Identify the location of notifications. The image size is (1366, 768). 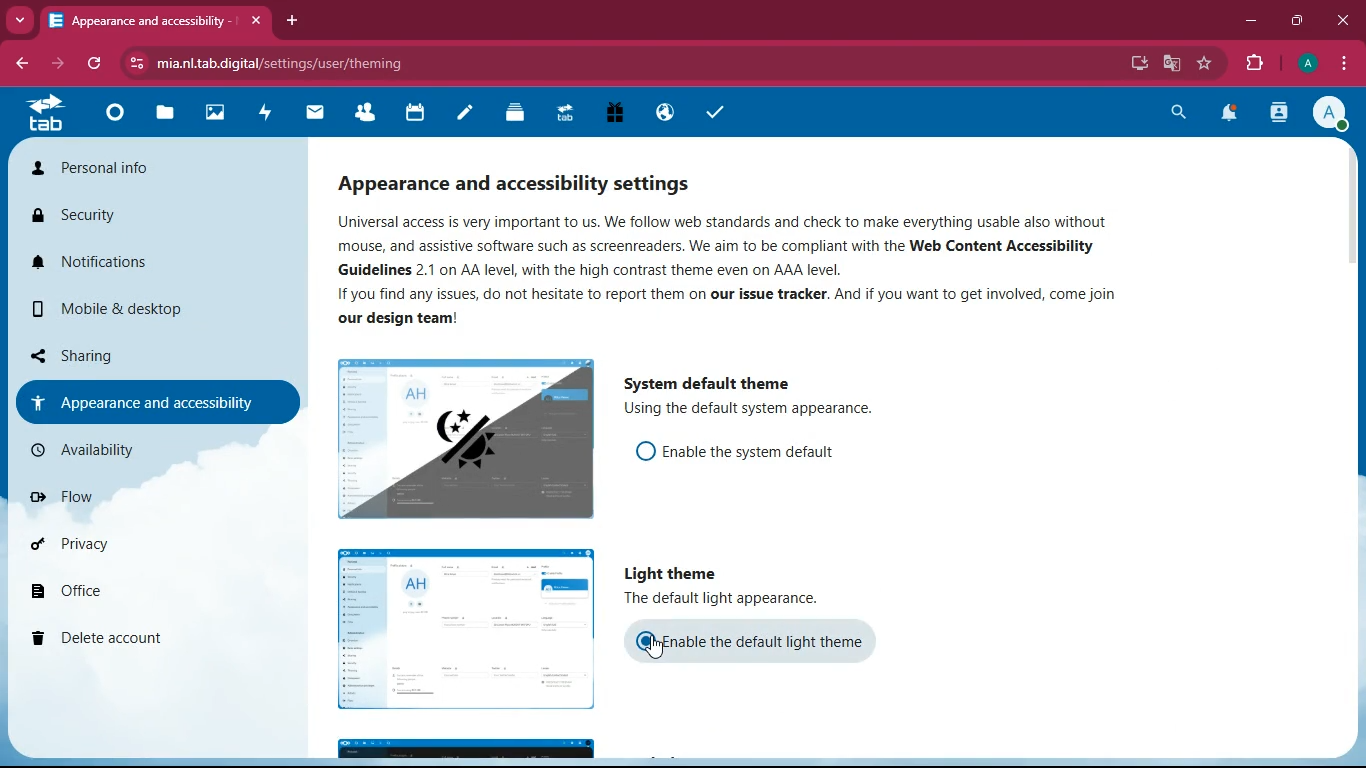
(1232, 114).